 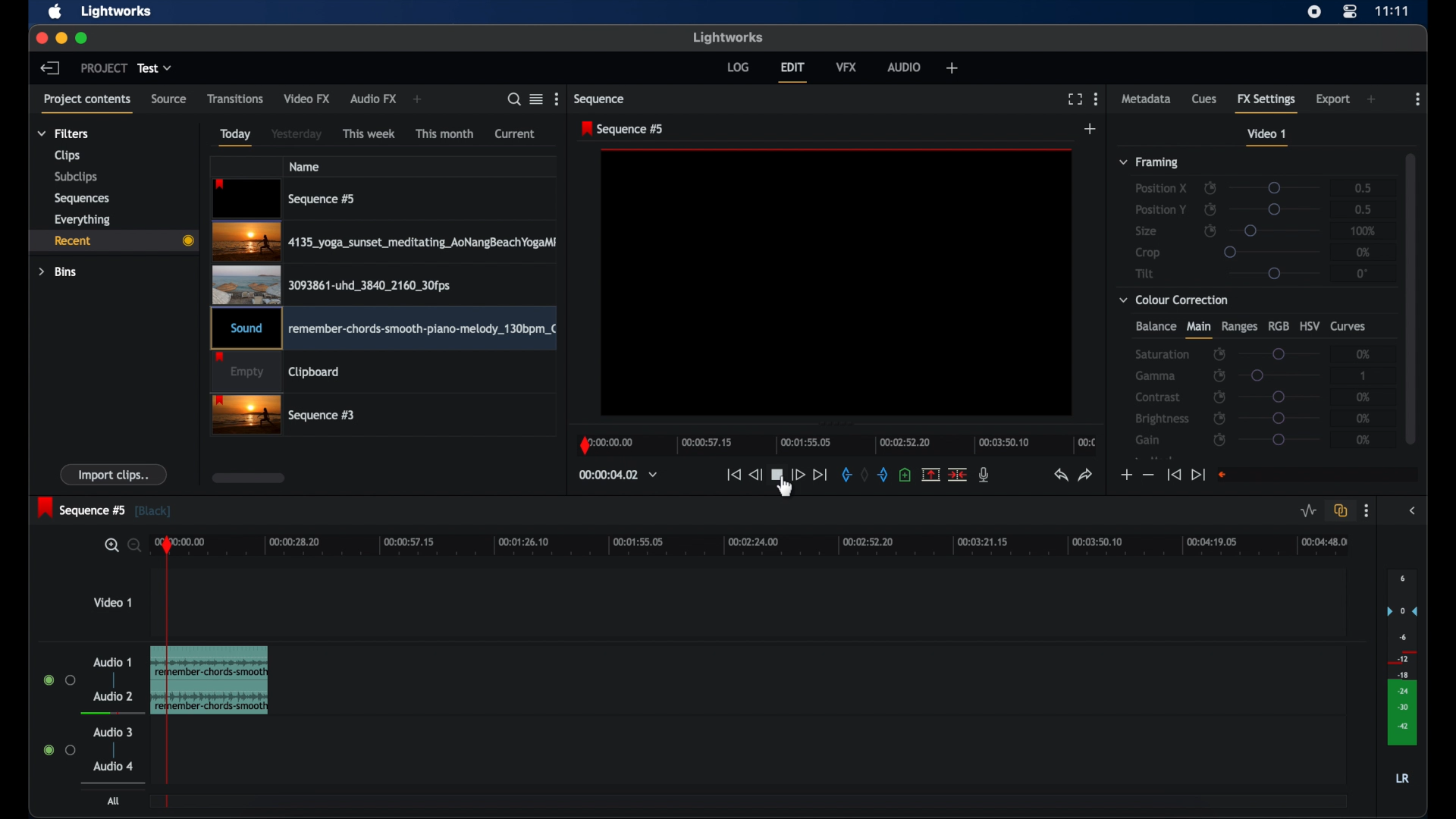 What do you see at coordinates (1219, 375) in the screenshot?
I see `enable/disable keyframes` at bounding box center [1219, 375].